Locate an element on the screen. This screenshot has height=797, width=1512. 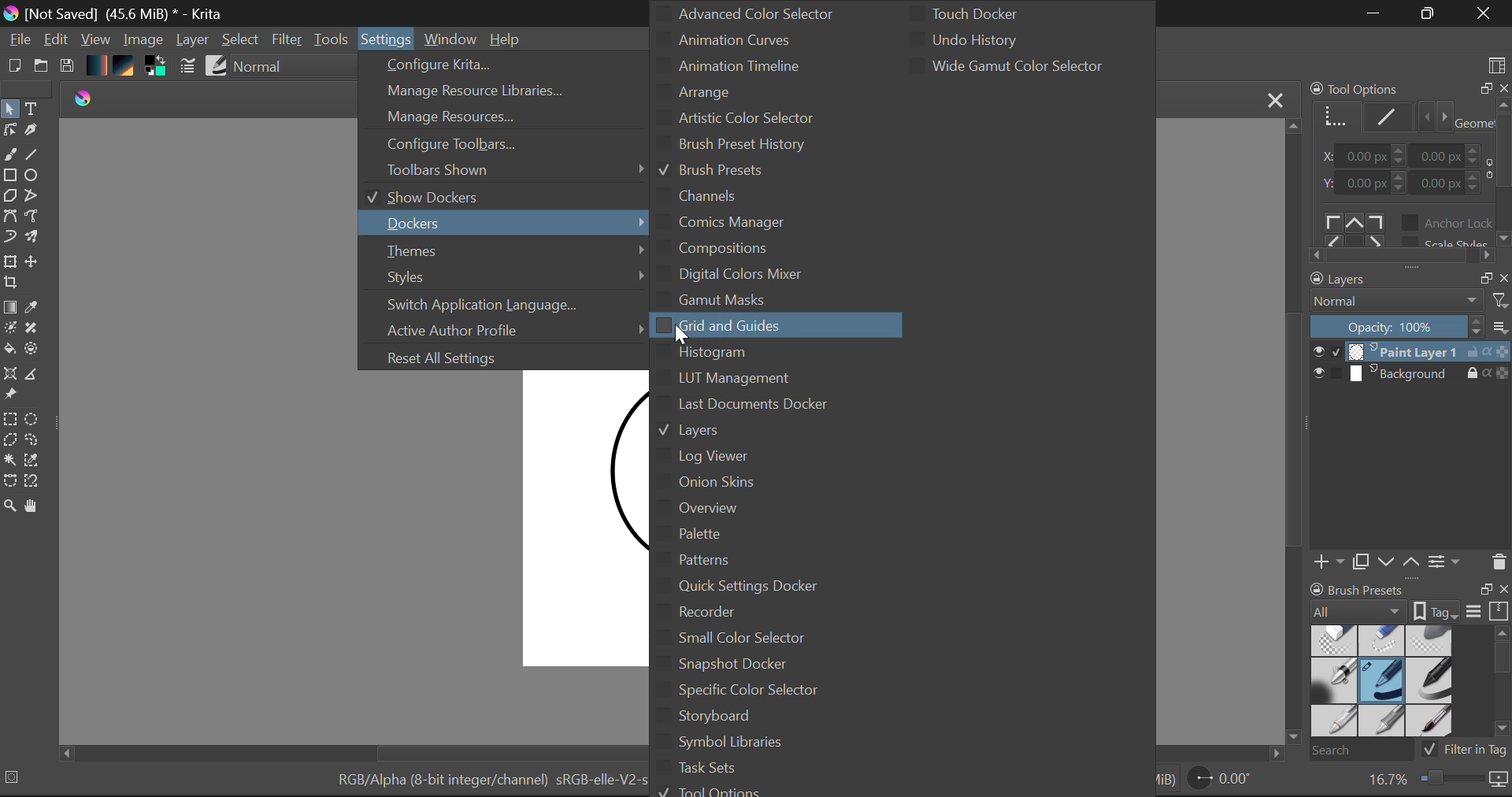
Touch Docker is located at coordinates (1002, 13).